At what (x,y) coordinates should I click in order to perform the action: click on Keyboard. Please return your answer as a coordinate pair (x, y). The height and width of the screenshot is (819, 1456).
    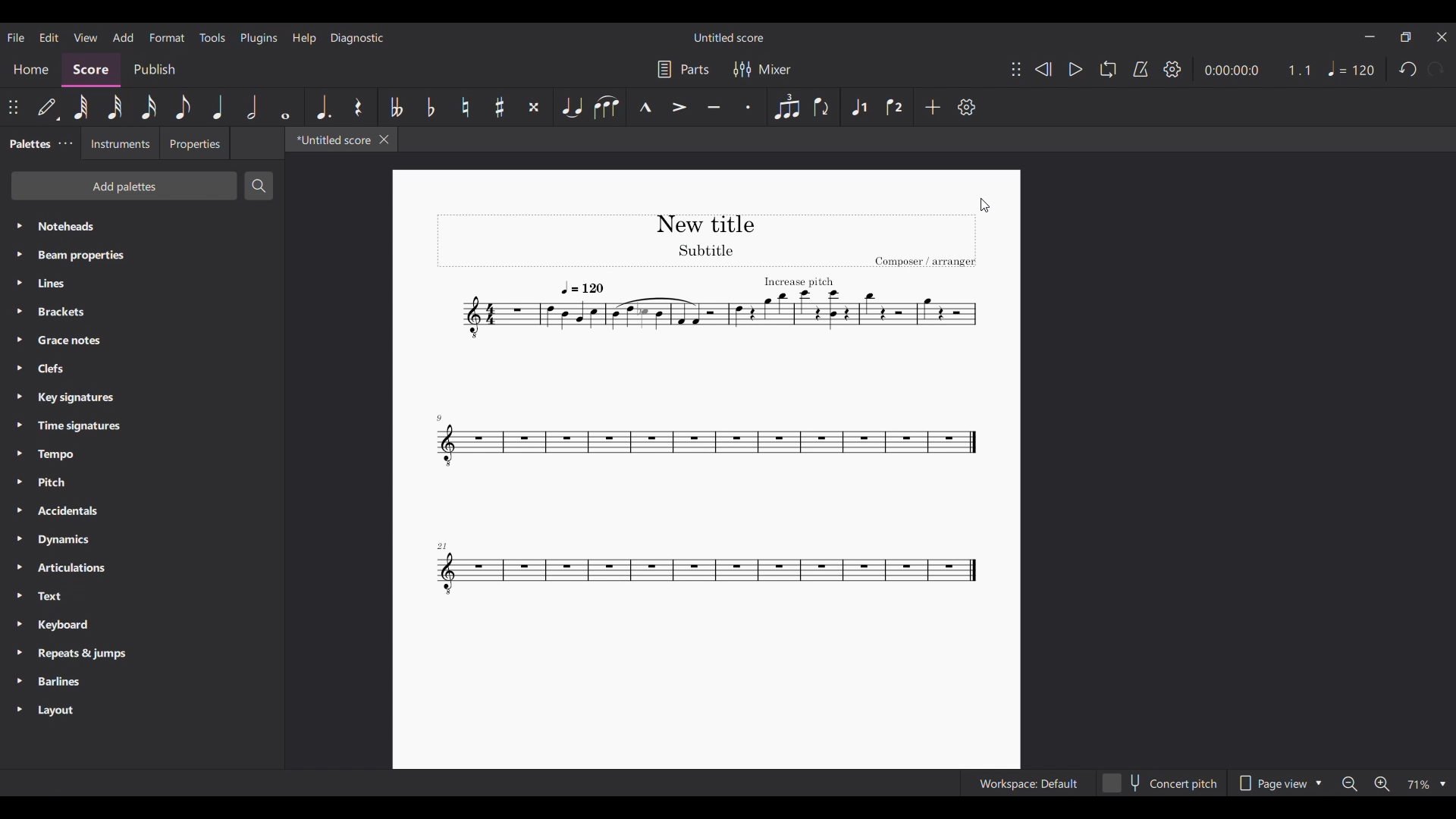
    Looking at the image, I should click on (142, 625).